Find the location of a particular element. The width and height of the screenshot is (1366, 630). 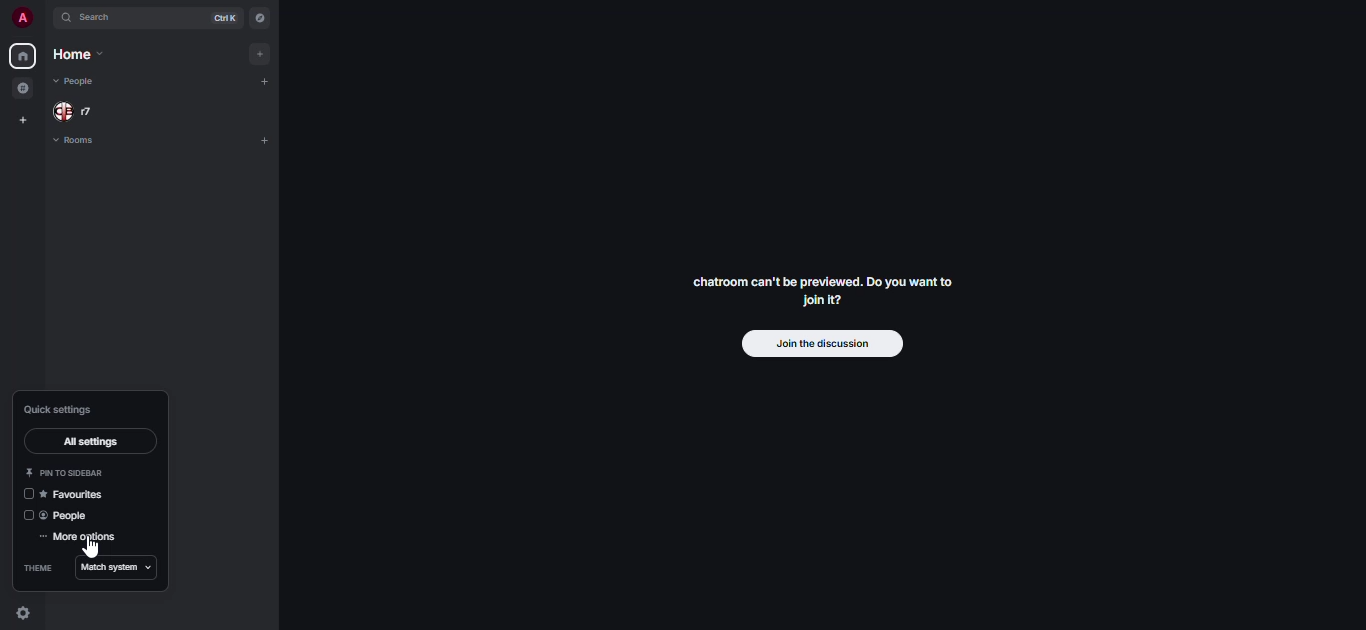

grouped room in space is located at coordinates (22, 88).